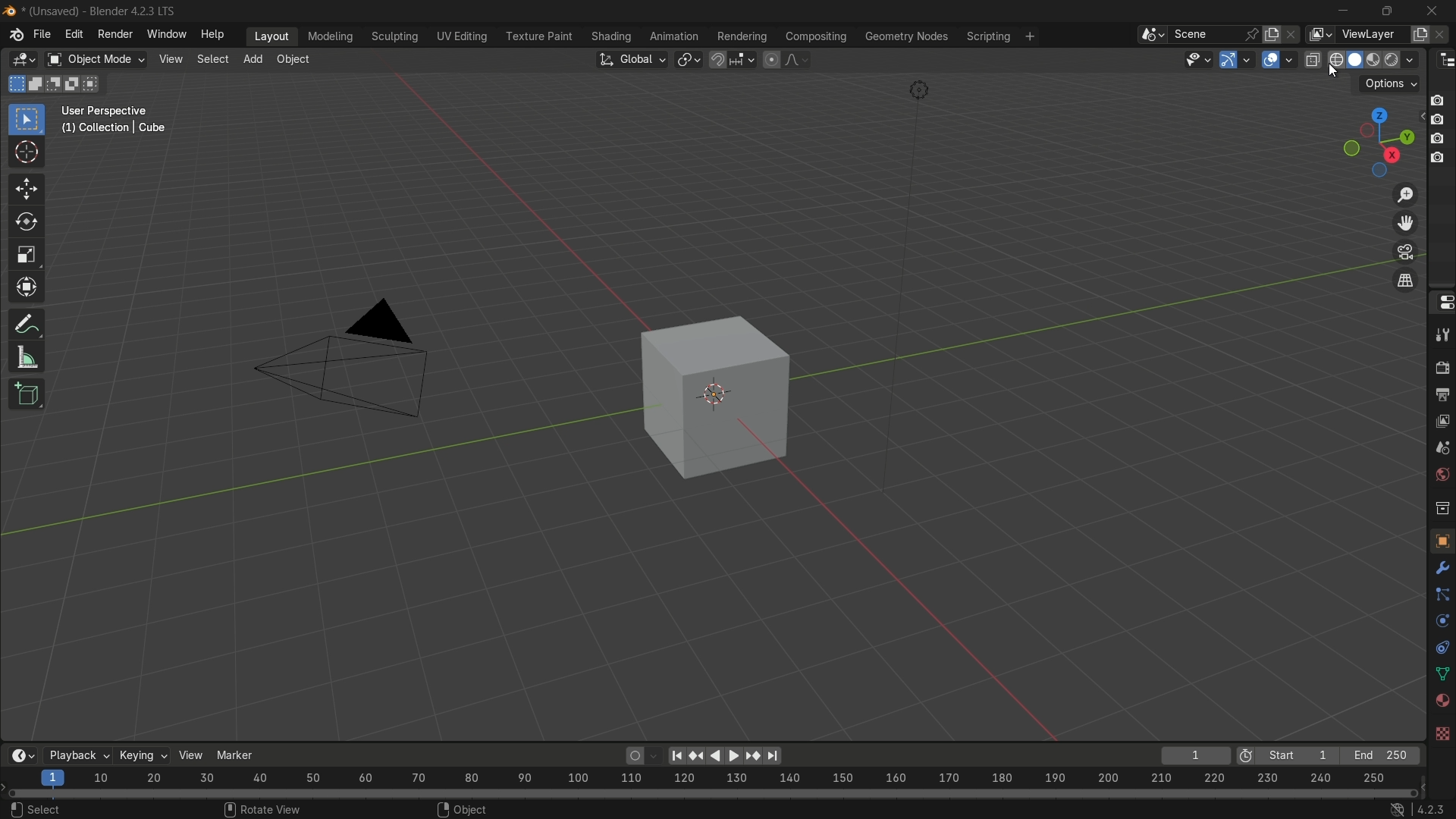 This screenshot has width=1456, height=819. I want to click on move the view, so click(1407, 224).